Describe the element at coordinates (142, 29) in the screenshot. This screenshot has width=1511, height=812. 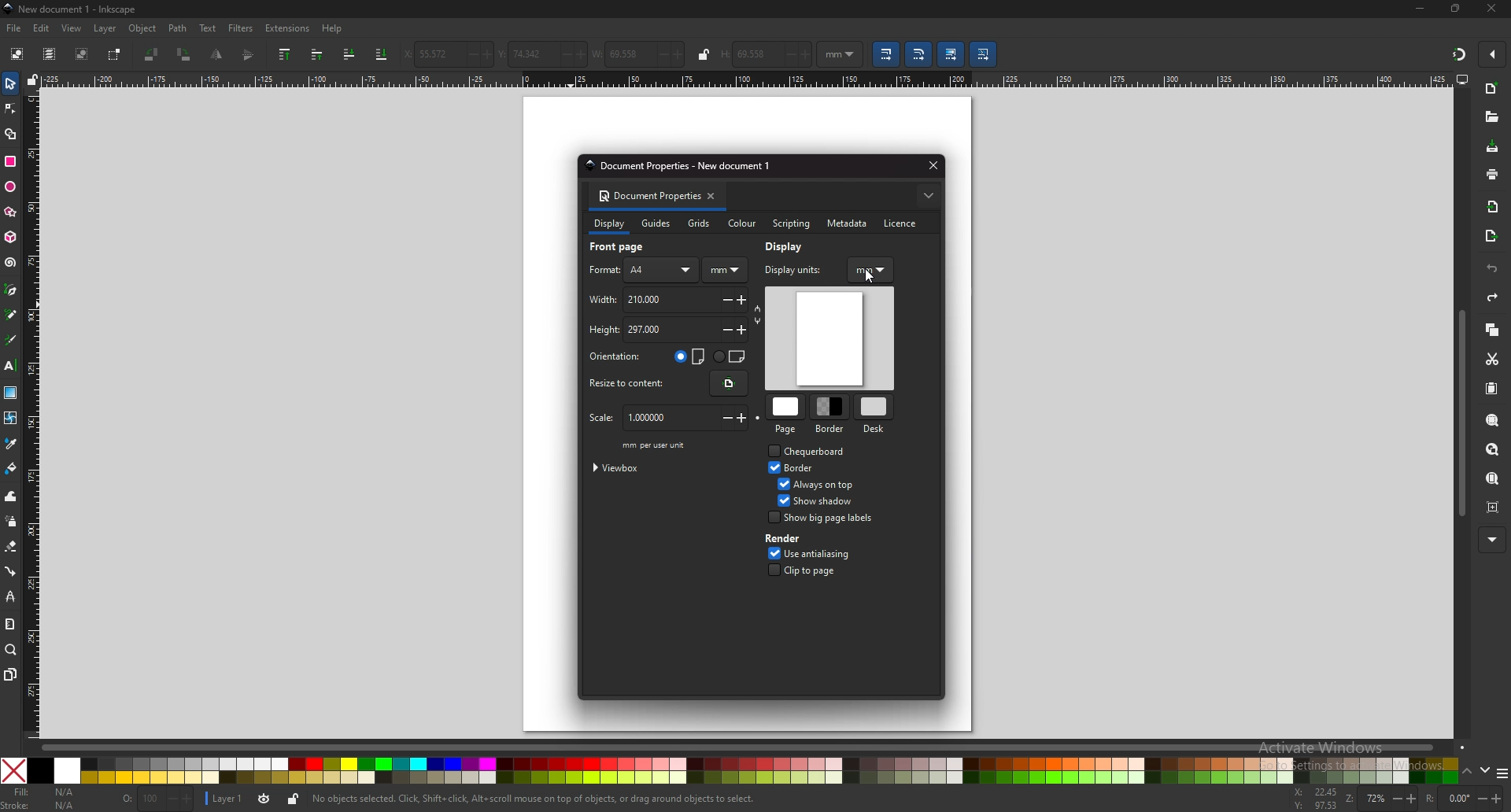
I see `object` at that location.